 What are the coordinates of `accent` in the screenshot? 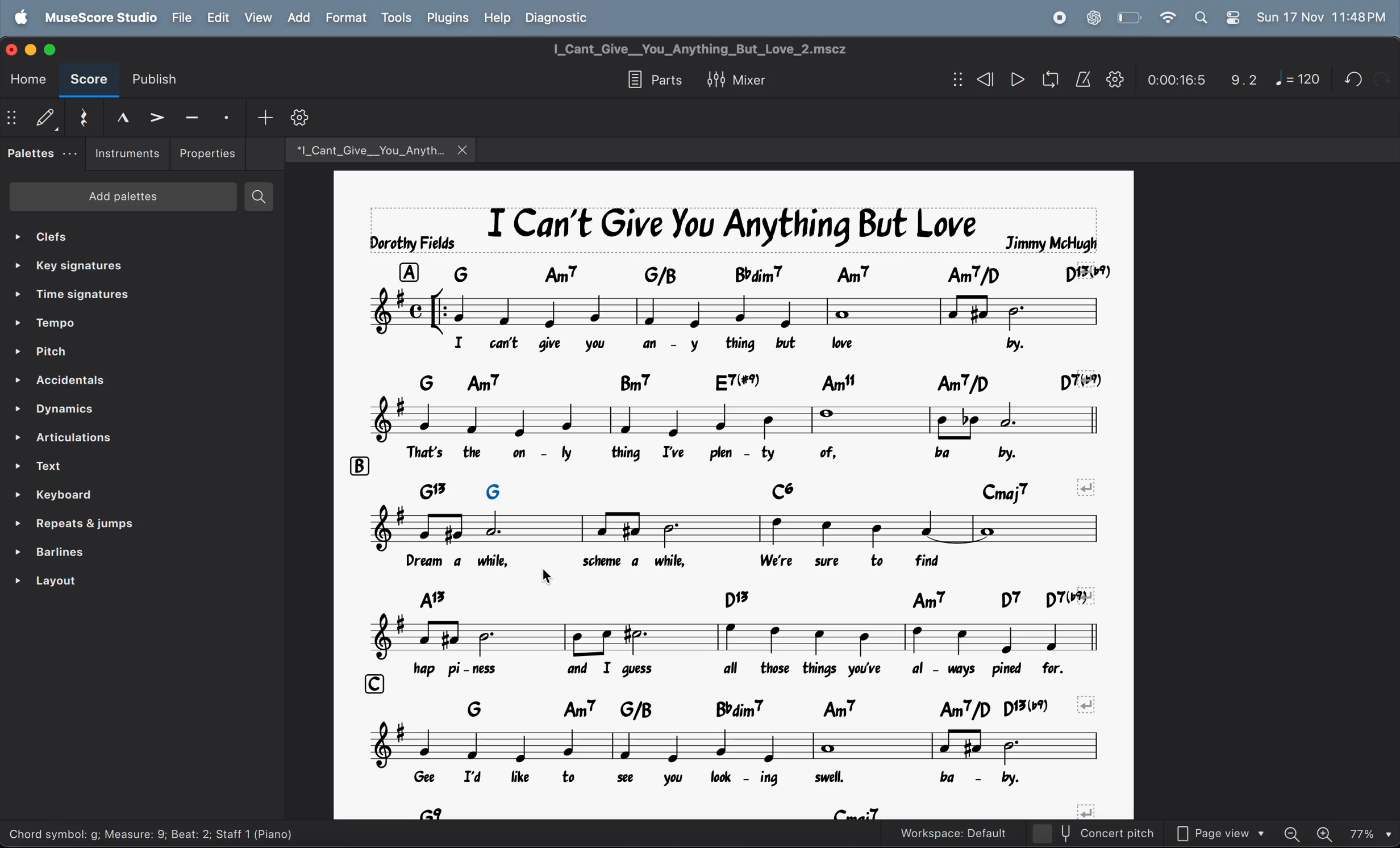 It's located at (160, 116).